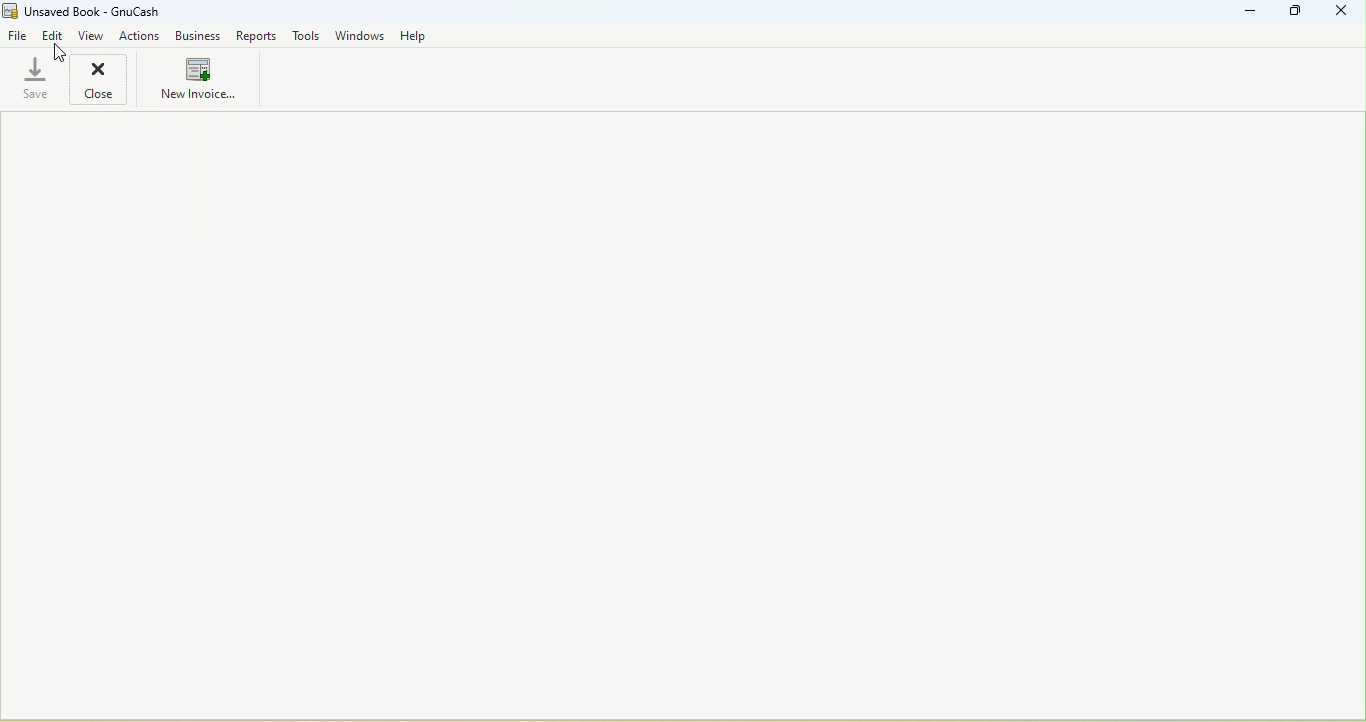 The image size is (1366, 722). What do you see at coordinates (54, 38) in the screenshot?
I see `Edit` at bounding box center [54, 38].